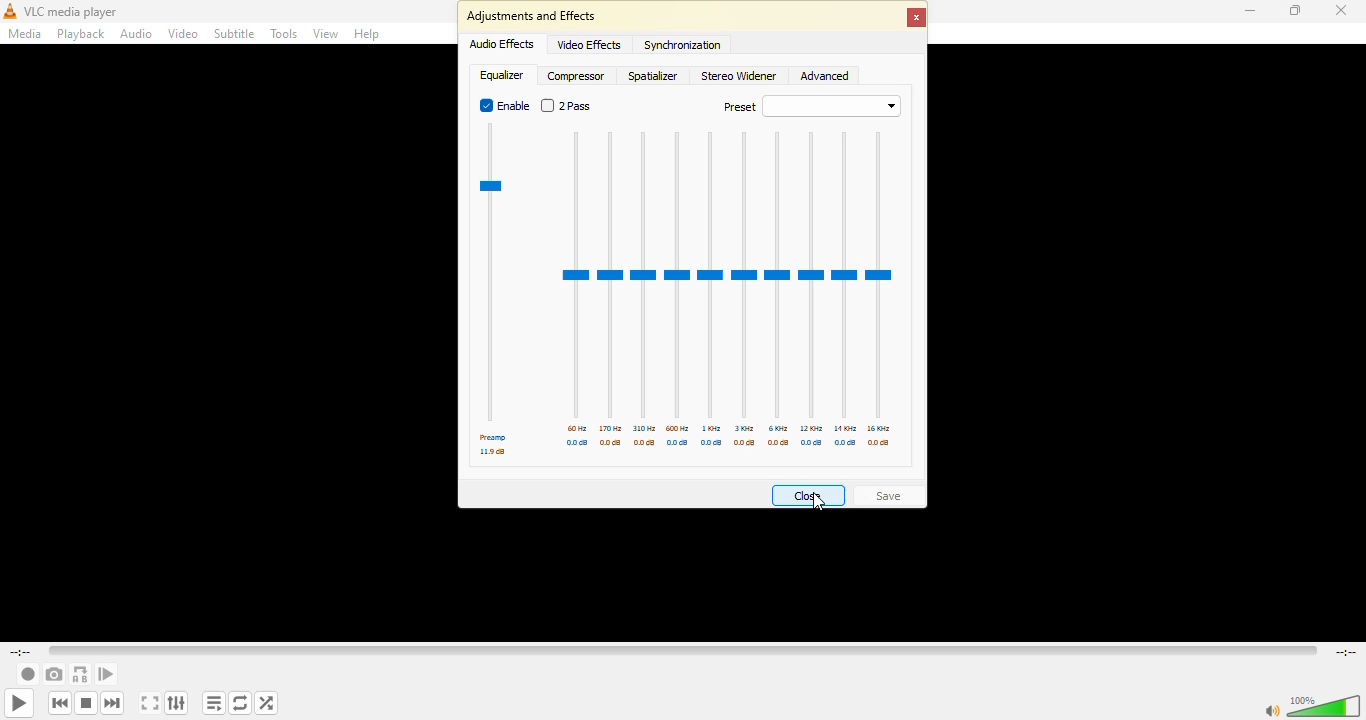 The height and width of the screenshot is (720, 1366). What do you see at coordinates (807, 497) in the screenshot?
I see `close` at bounding box center [807, 497].